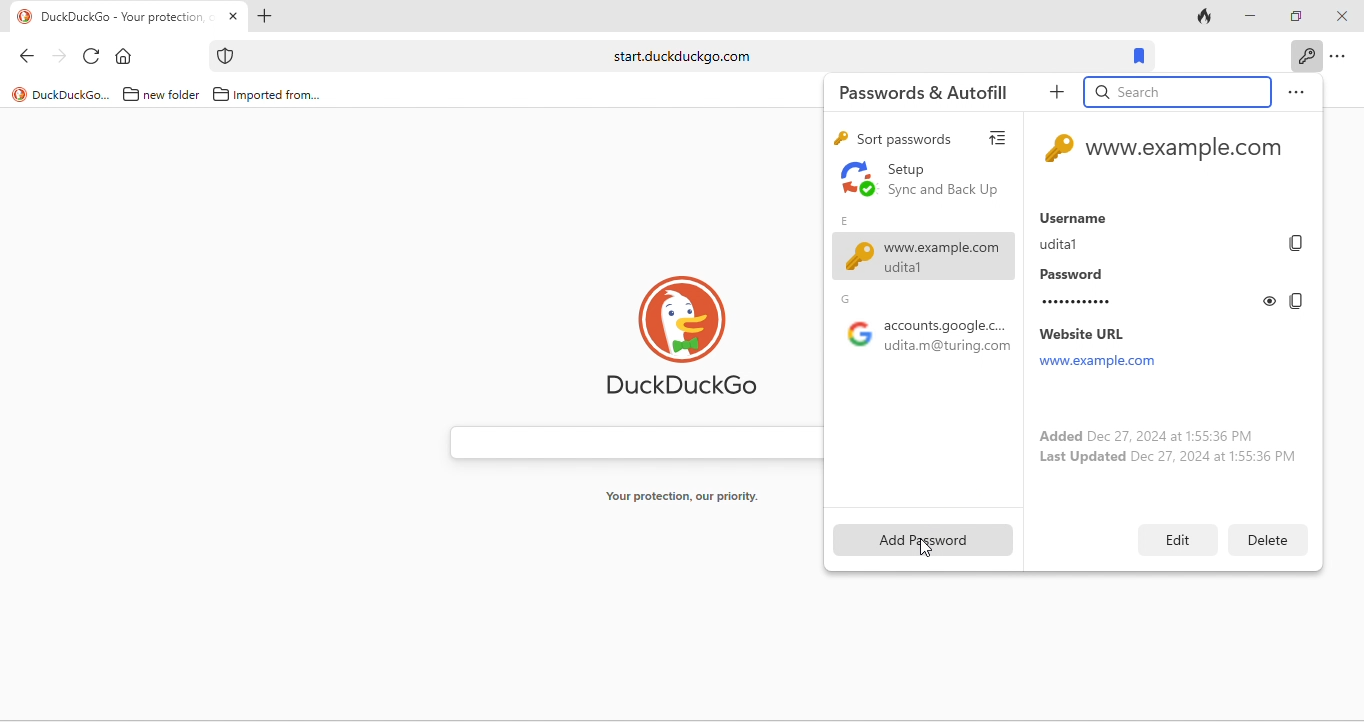 The image size is (1364, 722). What do you see at coordinates (227, 56) in the screenshot?
I see `icon` at bounding box center [227, 56].